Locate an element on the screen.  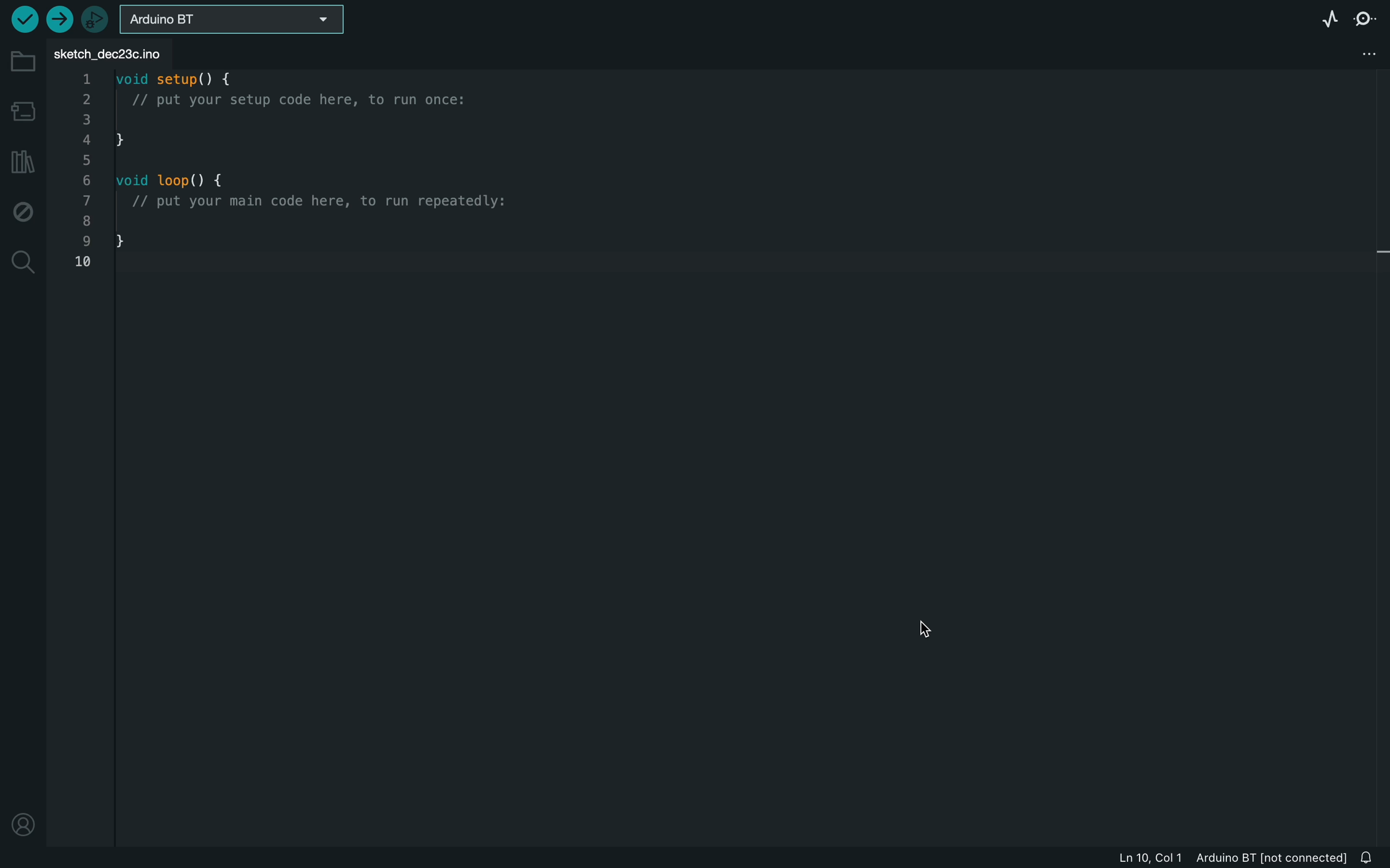
file settings is located at coordinates (1361, 52).